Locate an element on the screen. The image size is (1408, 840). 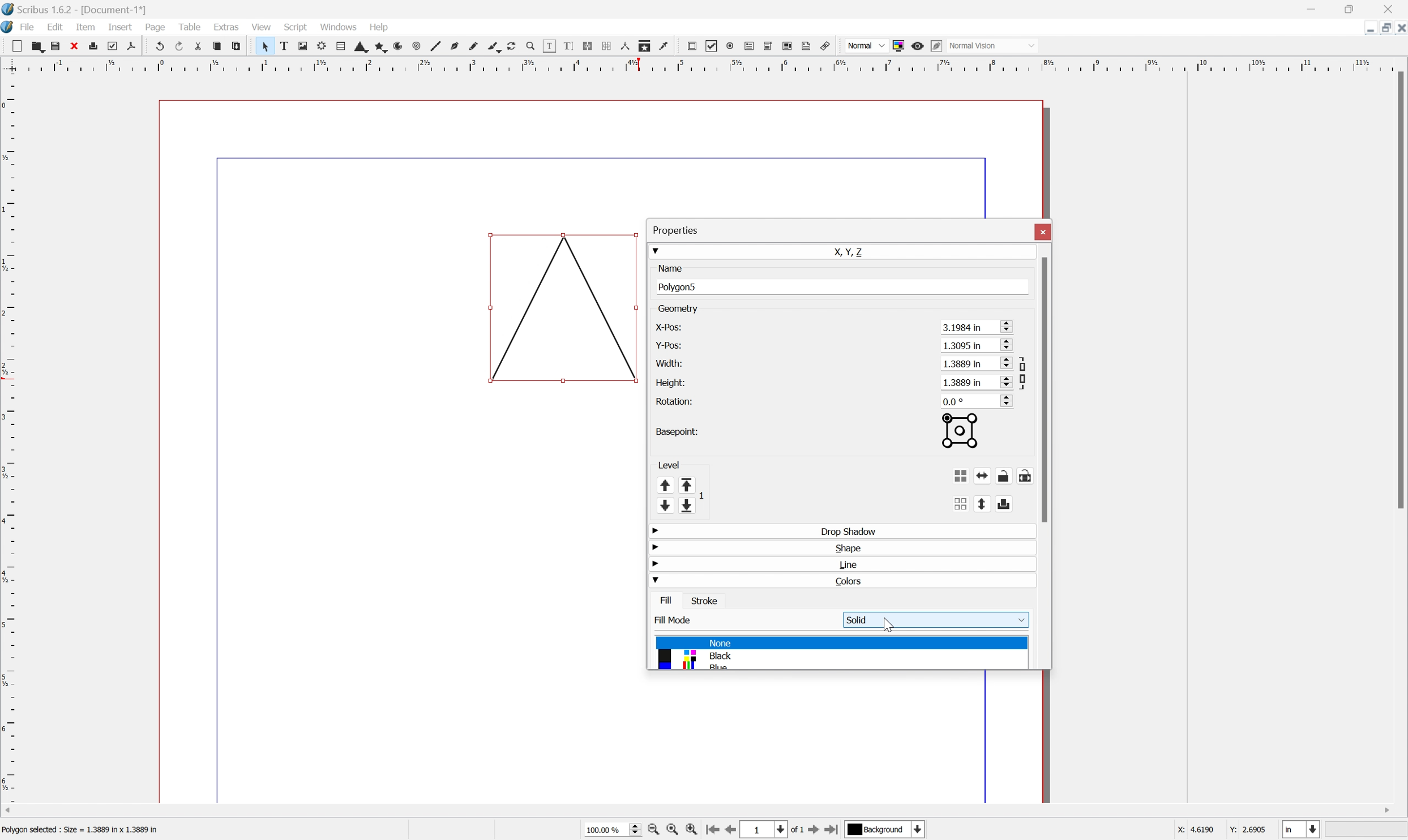
X: 3.2063 is located at coordinates (1192, 830).